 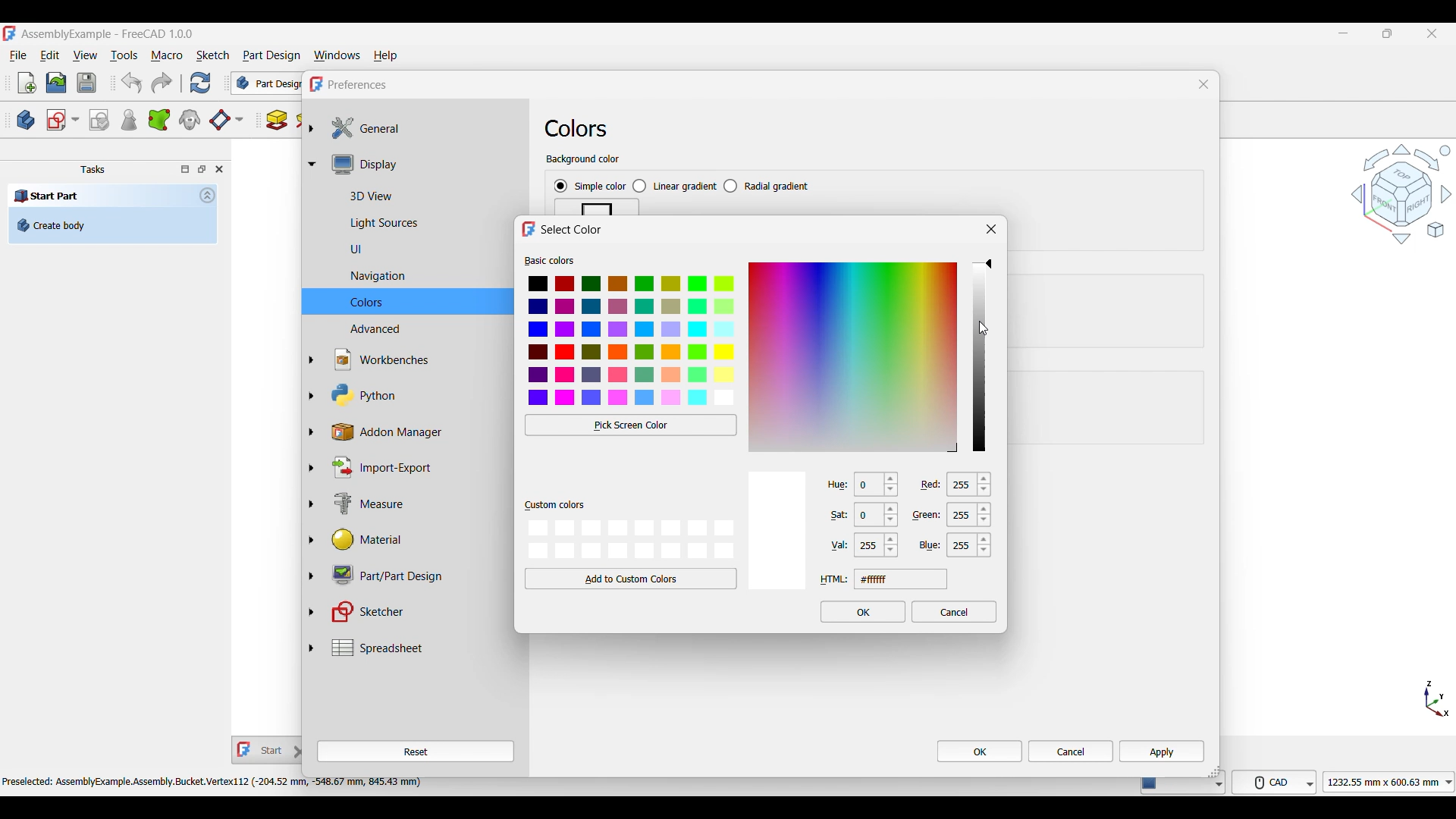 What do you see at coordinates (416, 359) in the screenshot?
I see `Workbench settings` at bounding box center [416, 359].